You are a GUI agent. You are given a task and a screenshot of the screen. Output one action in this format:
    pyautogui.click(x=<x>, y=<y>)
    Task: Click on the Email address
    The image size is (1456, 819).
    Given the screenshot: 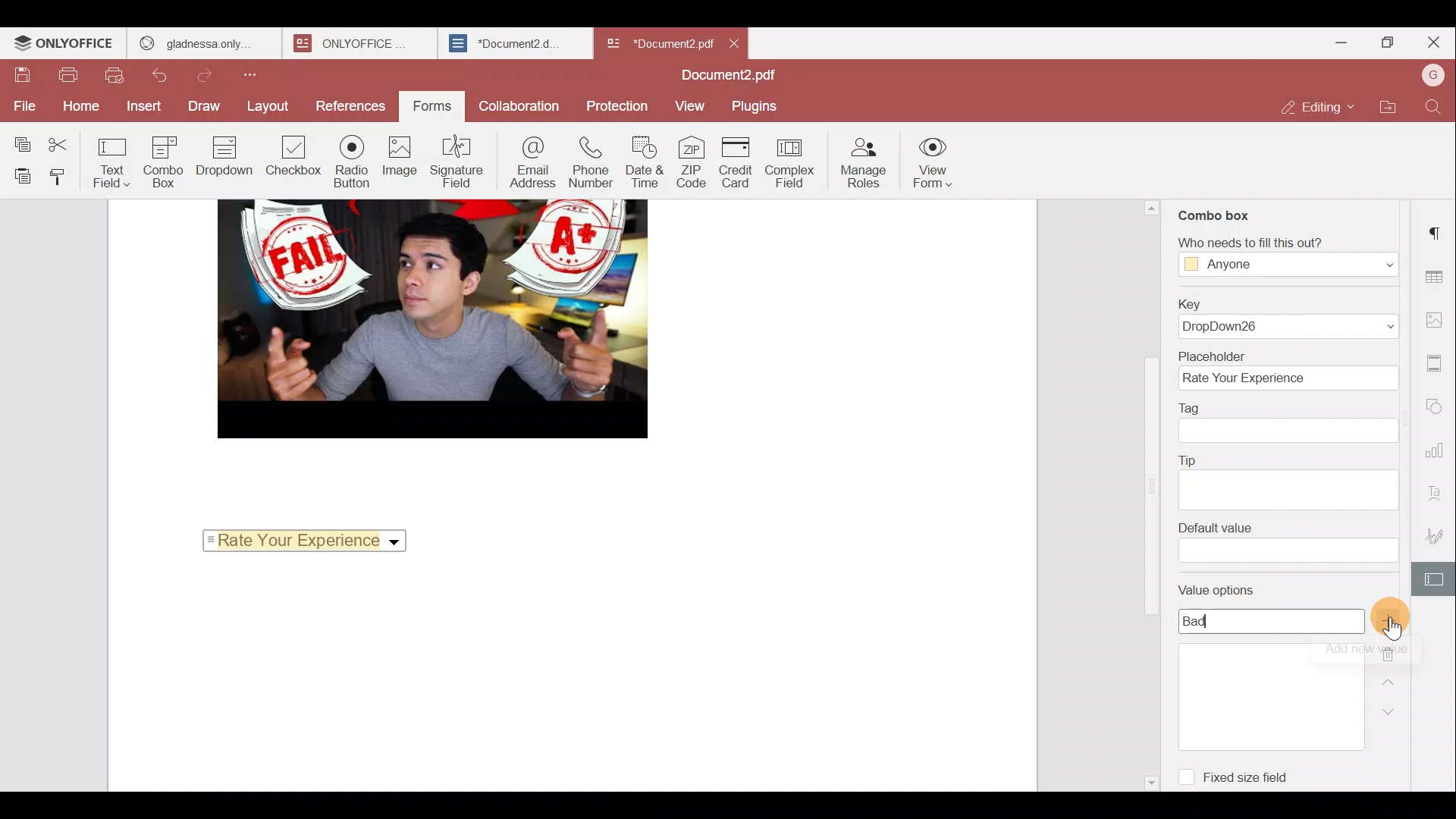 What is the action you would take?
    pyautogui.click(x=531, y=162)
    